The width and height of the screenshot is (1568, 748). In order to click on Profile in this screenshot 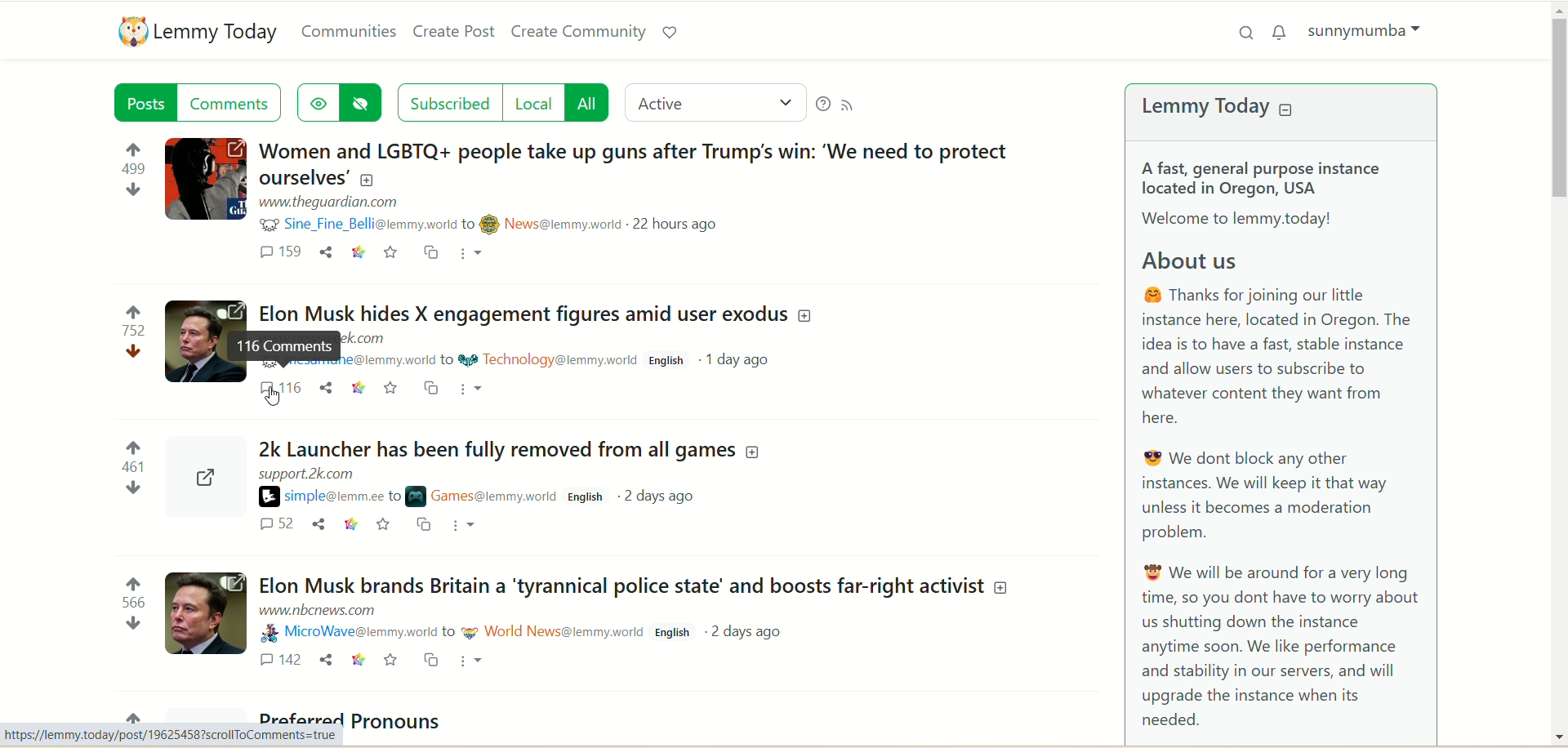, I will do `click(203, 479)`.